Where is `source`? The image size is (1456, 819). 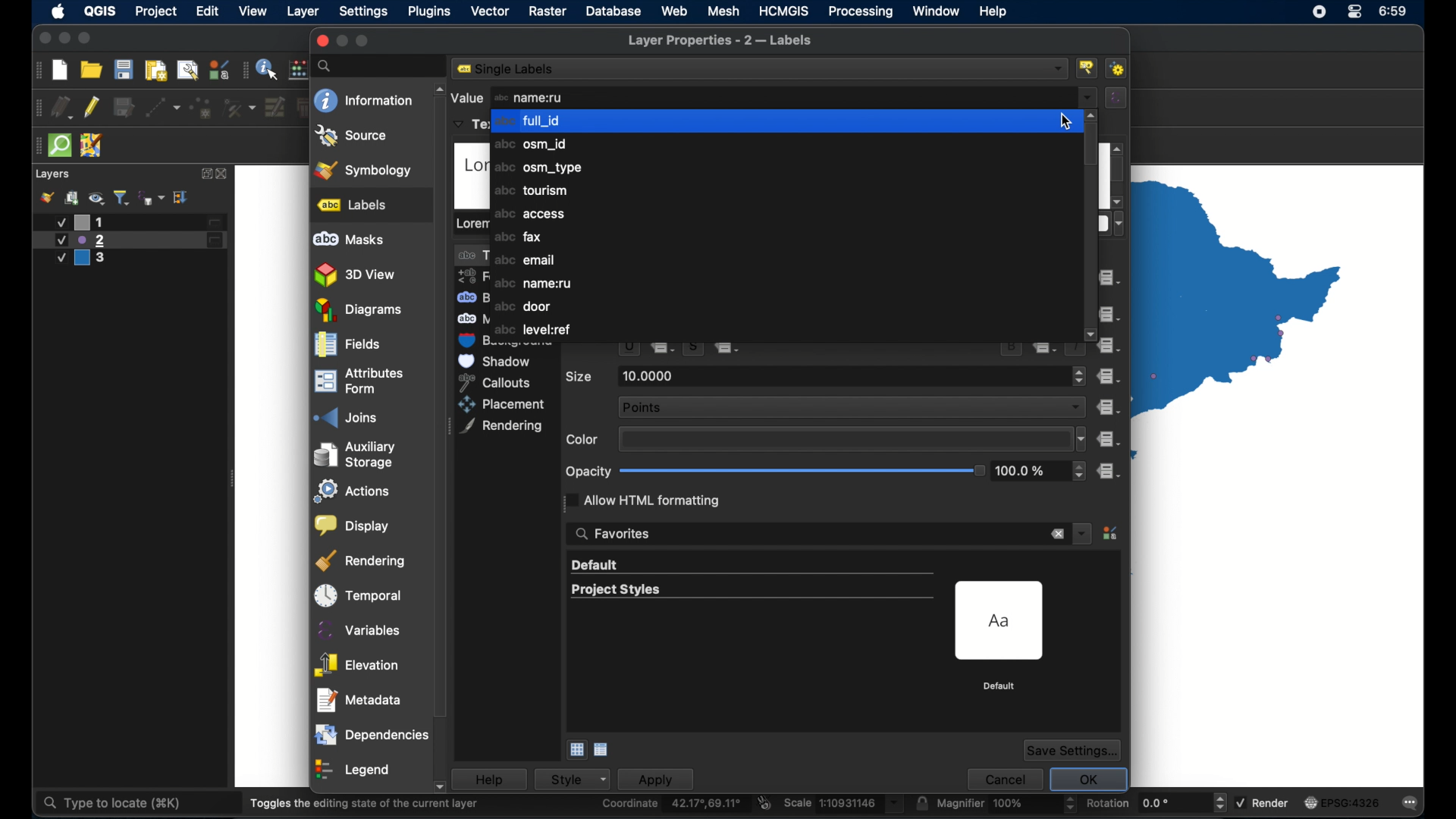 source is located at coordinates (352, 136).